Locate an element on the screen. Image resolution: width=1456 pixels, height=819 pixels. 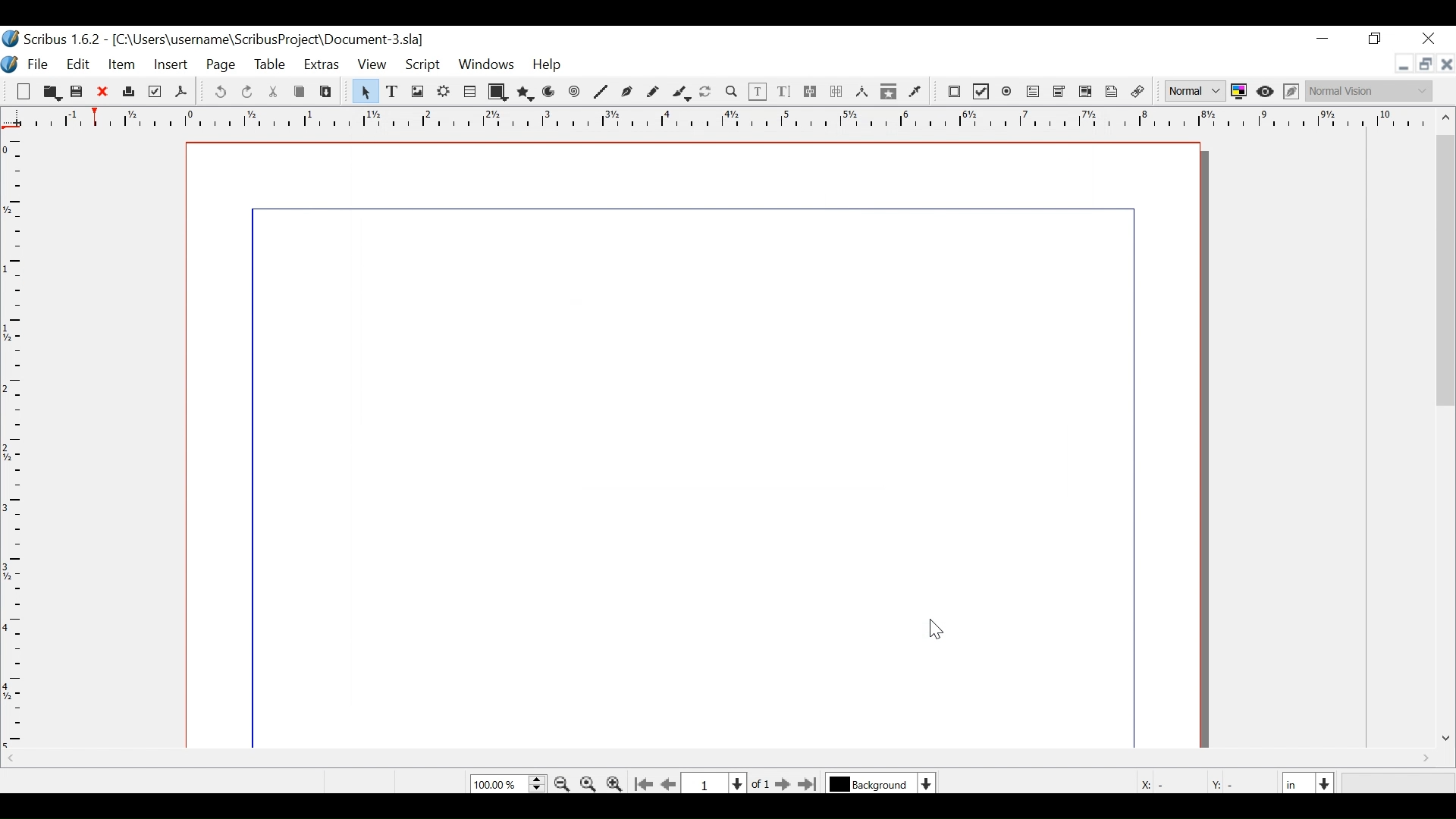
Copy is located at coordinates (299, 92).